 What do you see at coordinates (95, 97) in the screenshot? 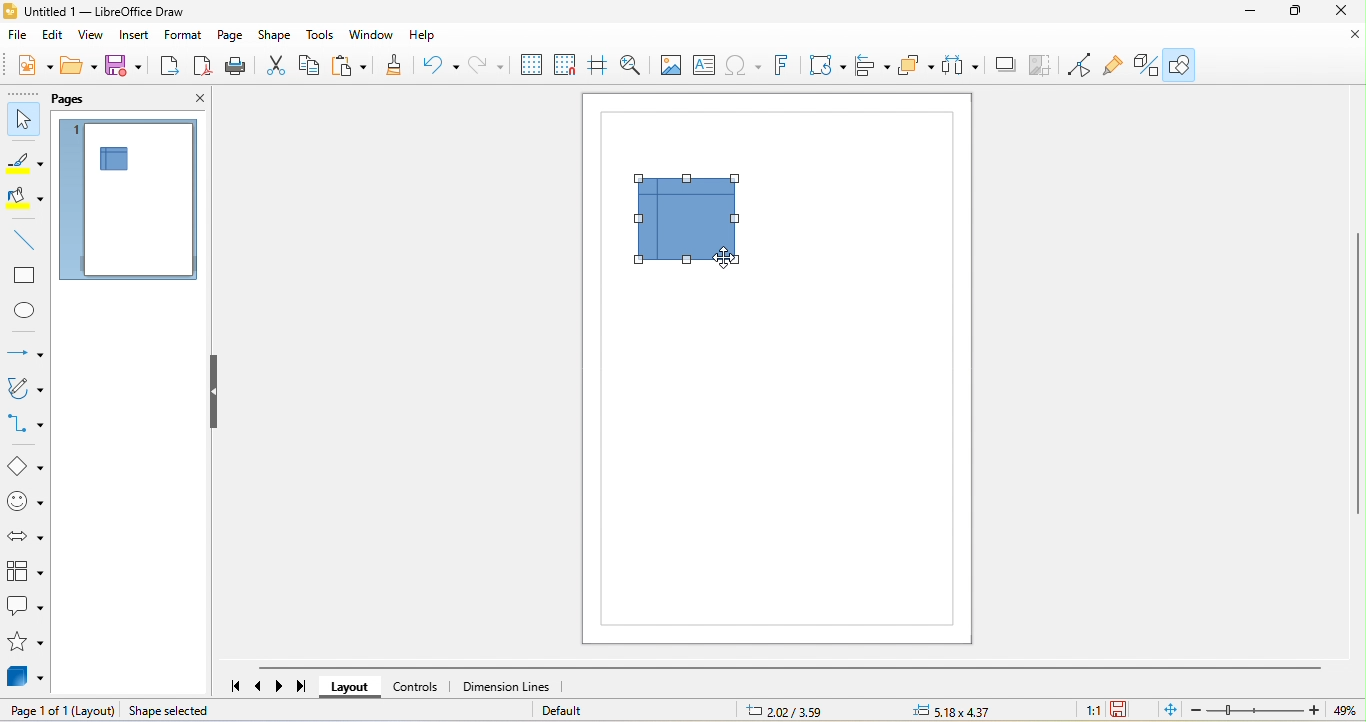
I see `pages` at bounding box center [95, 97].